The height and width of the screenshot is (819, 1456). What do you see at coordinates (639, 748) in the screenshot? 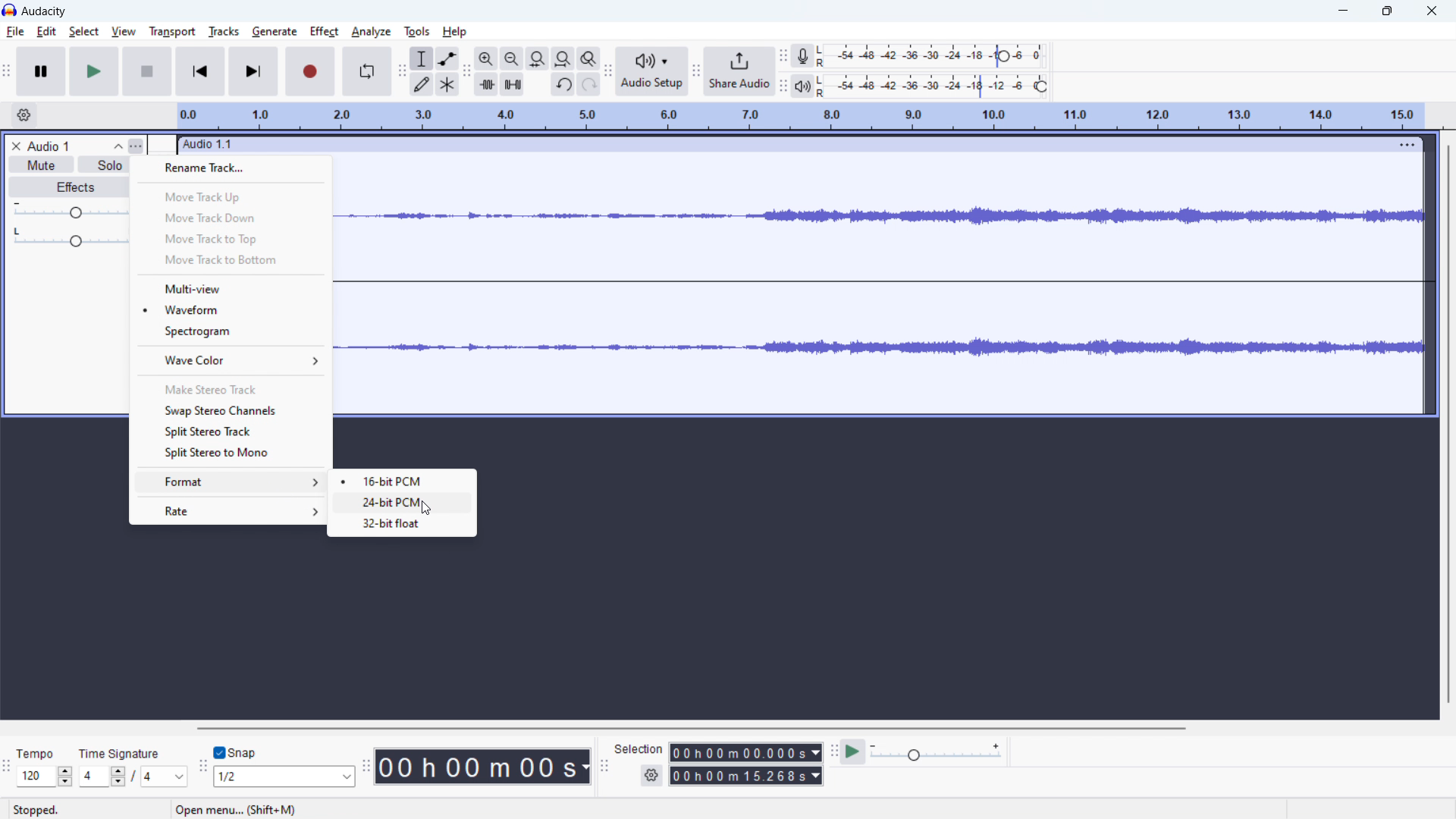
I see `Selection` at bounding box center [639, 748].